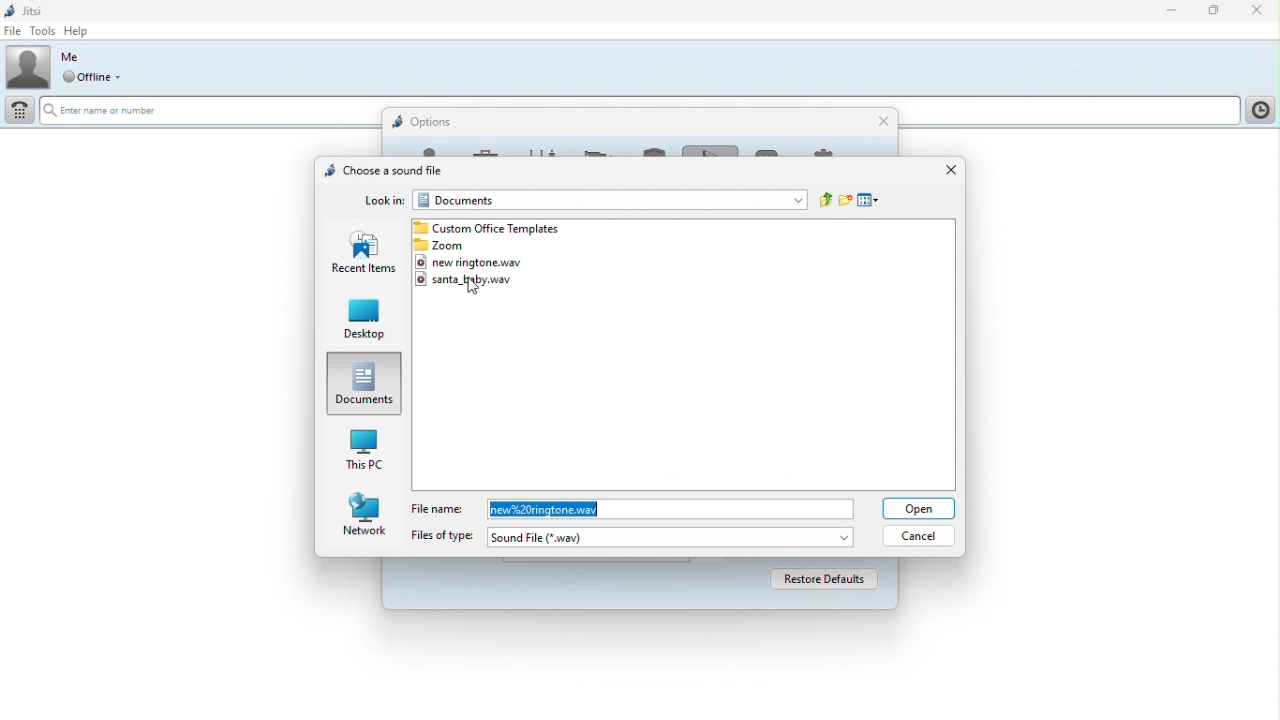  What do you see at coordinates (385, 201) in the screenshot?
I see `Look in` at bounding box center [385, 201].